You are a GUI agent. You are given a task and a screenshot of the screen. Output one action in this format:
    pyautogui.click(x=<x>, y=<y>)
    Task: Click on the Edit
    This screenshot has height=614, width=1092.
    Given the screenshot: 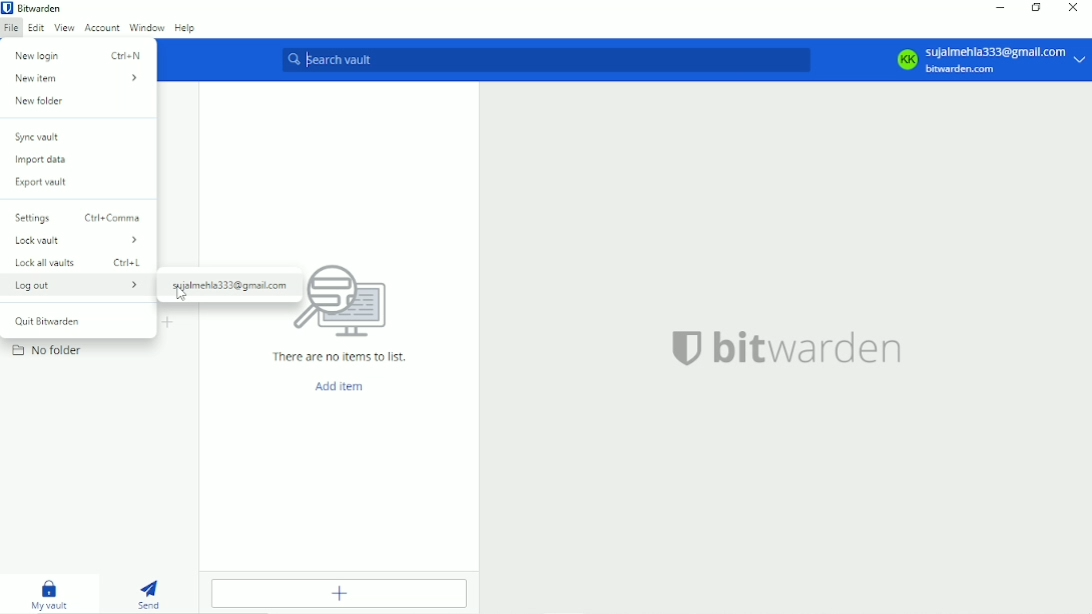 What is the action you would take?
    pyautogui.click(x=35, y=28)
    